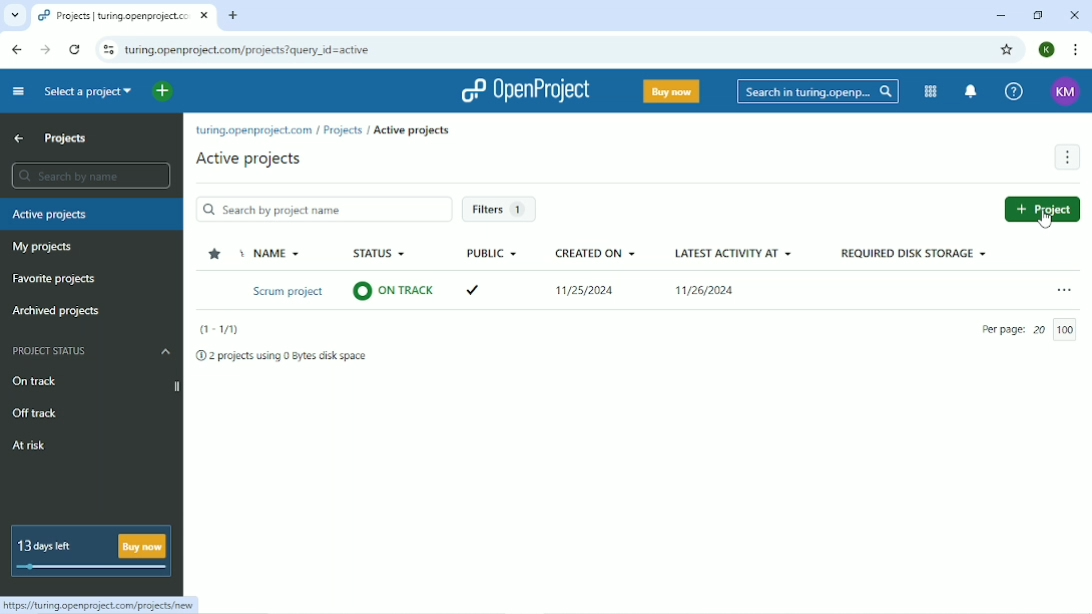 The width and height of the screenshot is (1092, 614). Describe the element at coordinates (253, 130) in the screenshot. I see `turing.openproject.com` at that location.